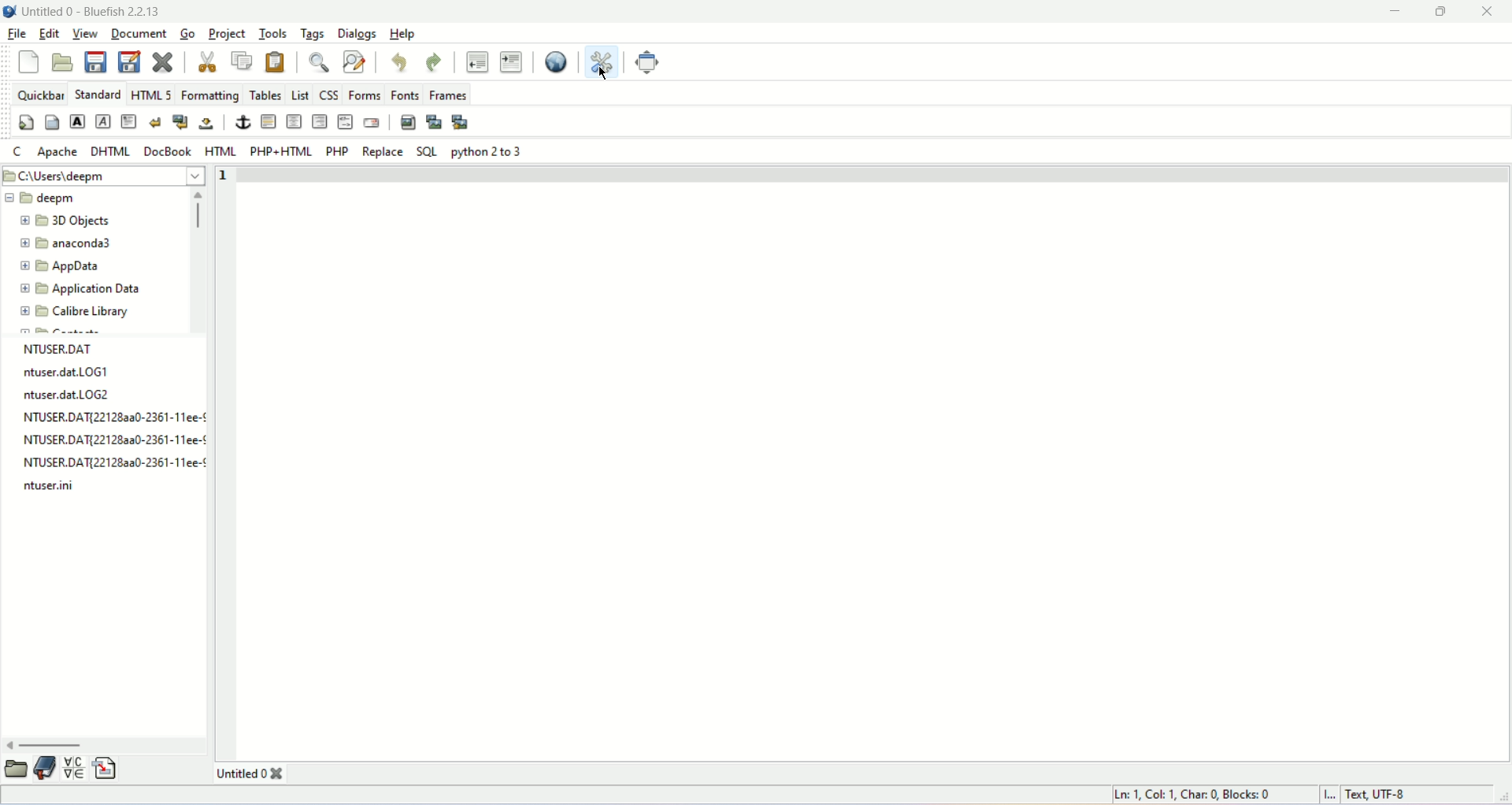 The height and width of the screenshot is (805, 1512). Describe the element at coordinates (83, 221) in the screenshot. I see `3D Objects` at that location.